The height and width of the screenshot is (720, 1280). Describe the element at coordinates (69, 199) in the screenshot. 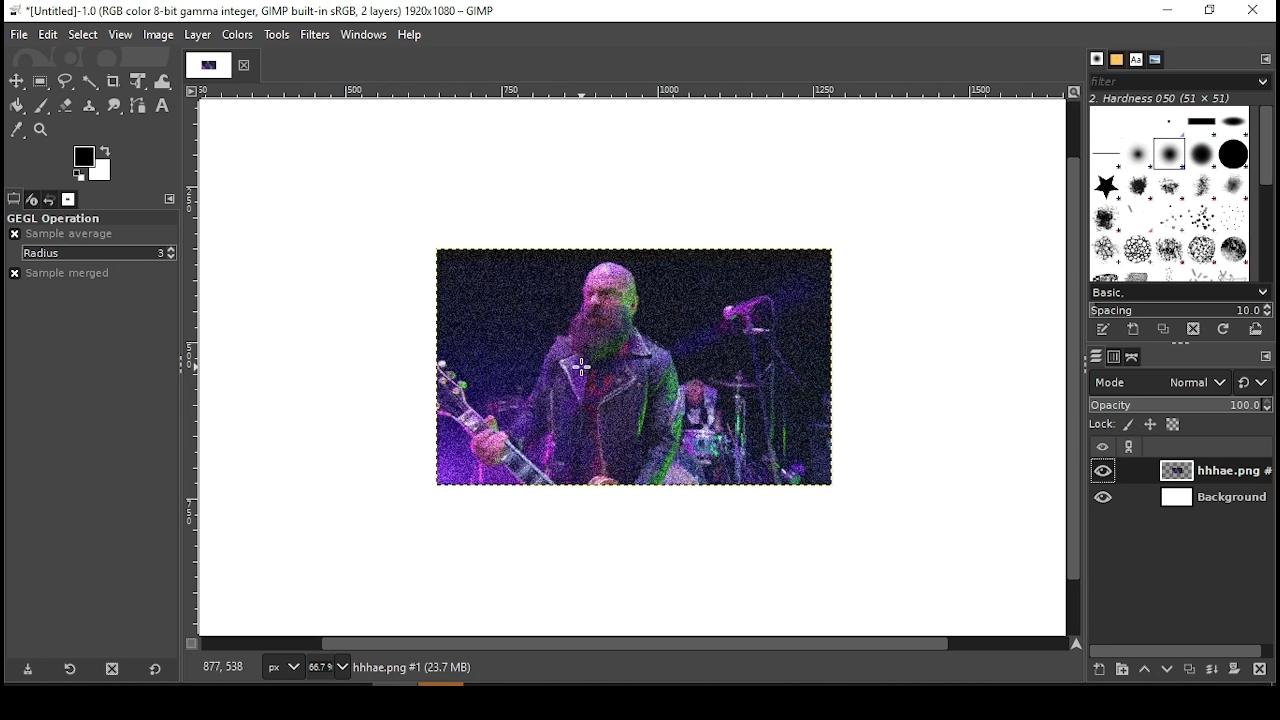

I see `images` at that location.